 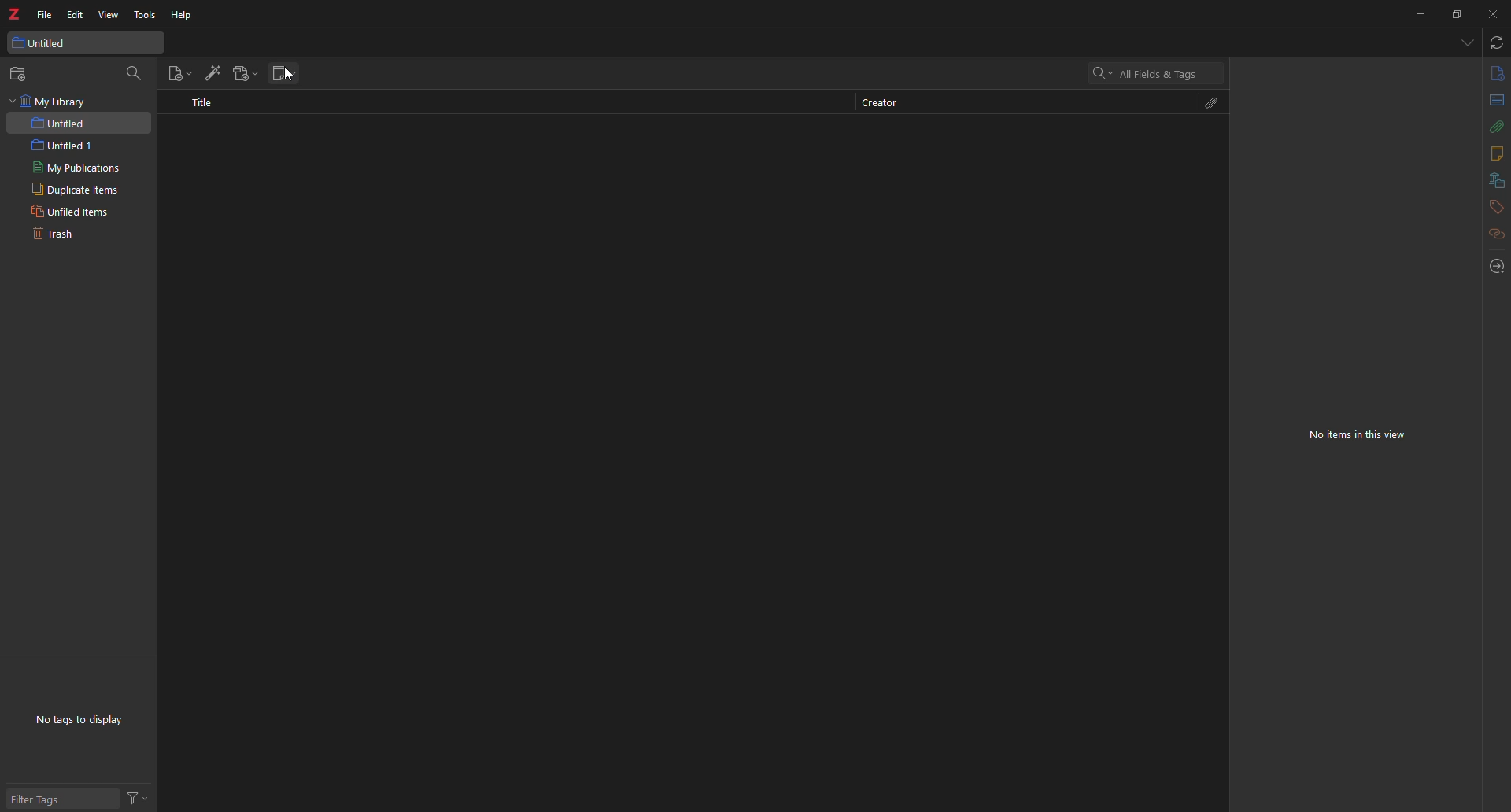 What do you see at coordinates (1489, 207) in the screenshot?
I see `tags` at bounding box center [1489, 207].